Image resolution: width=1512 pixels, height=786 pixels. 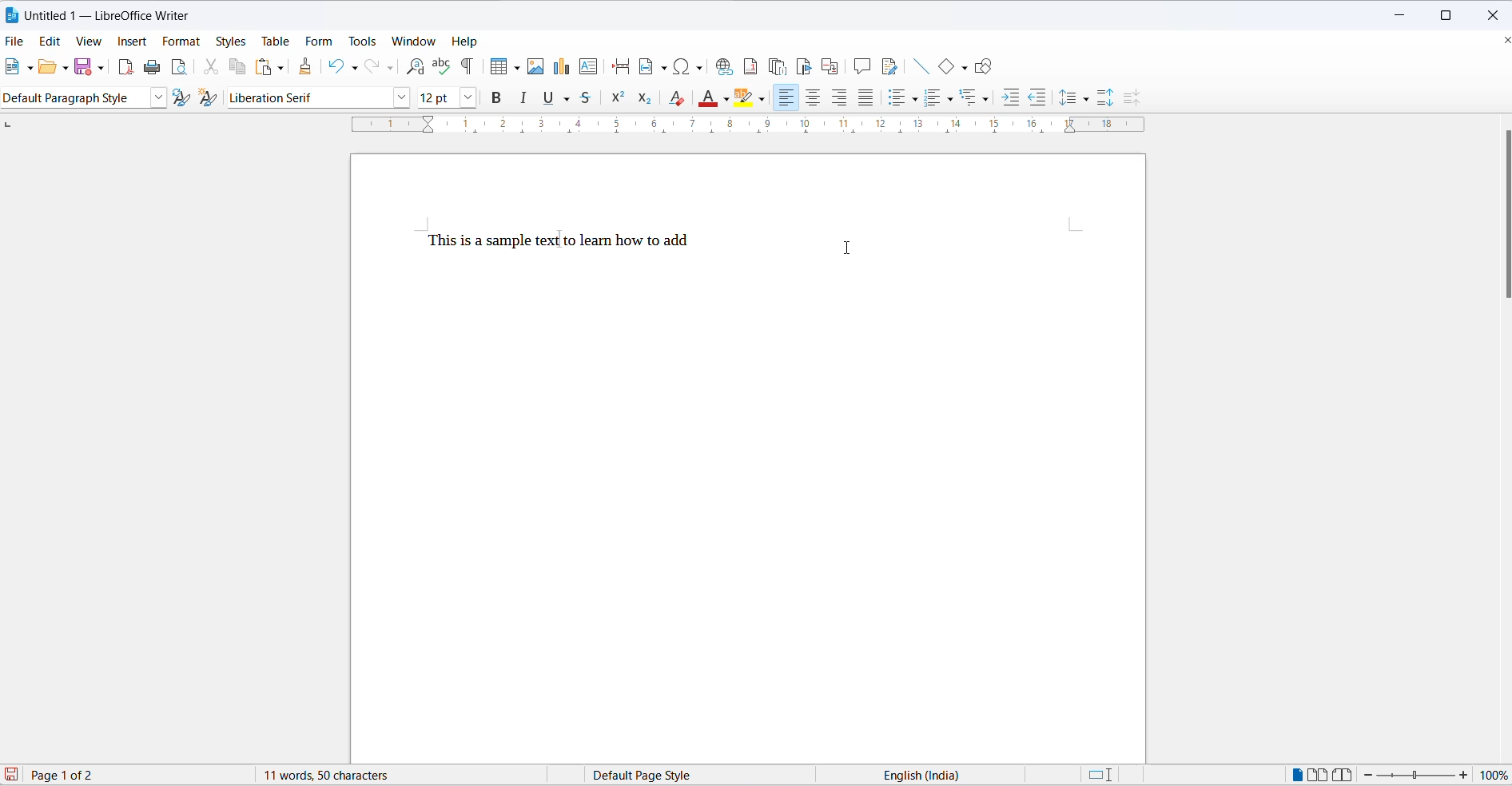 What do you see at coordinates (961, 65) in the screenshot?
I see `basic shapes options` at bounding box center [961, 65].